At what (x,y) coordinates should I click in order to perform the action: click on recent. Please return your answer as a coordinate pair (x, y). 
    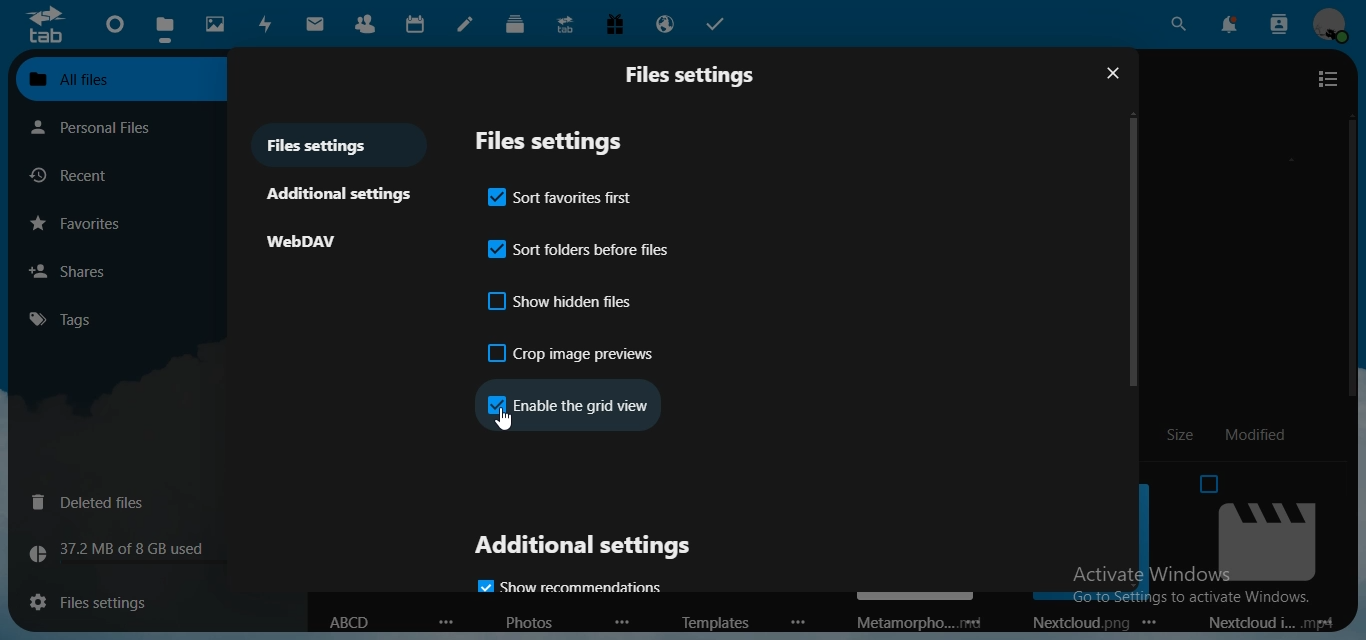
    Looking at the image, I should click on (75, 176).